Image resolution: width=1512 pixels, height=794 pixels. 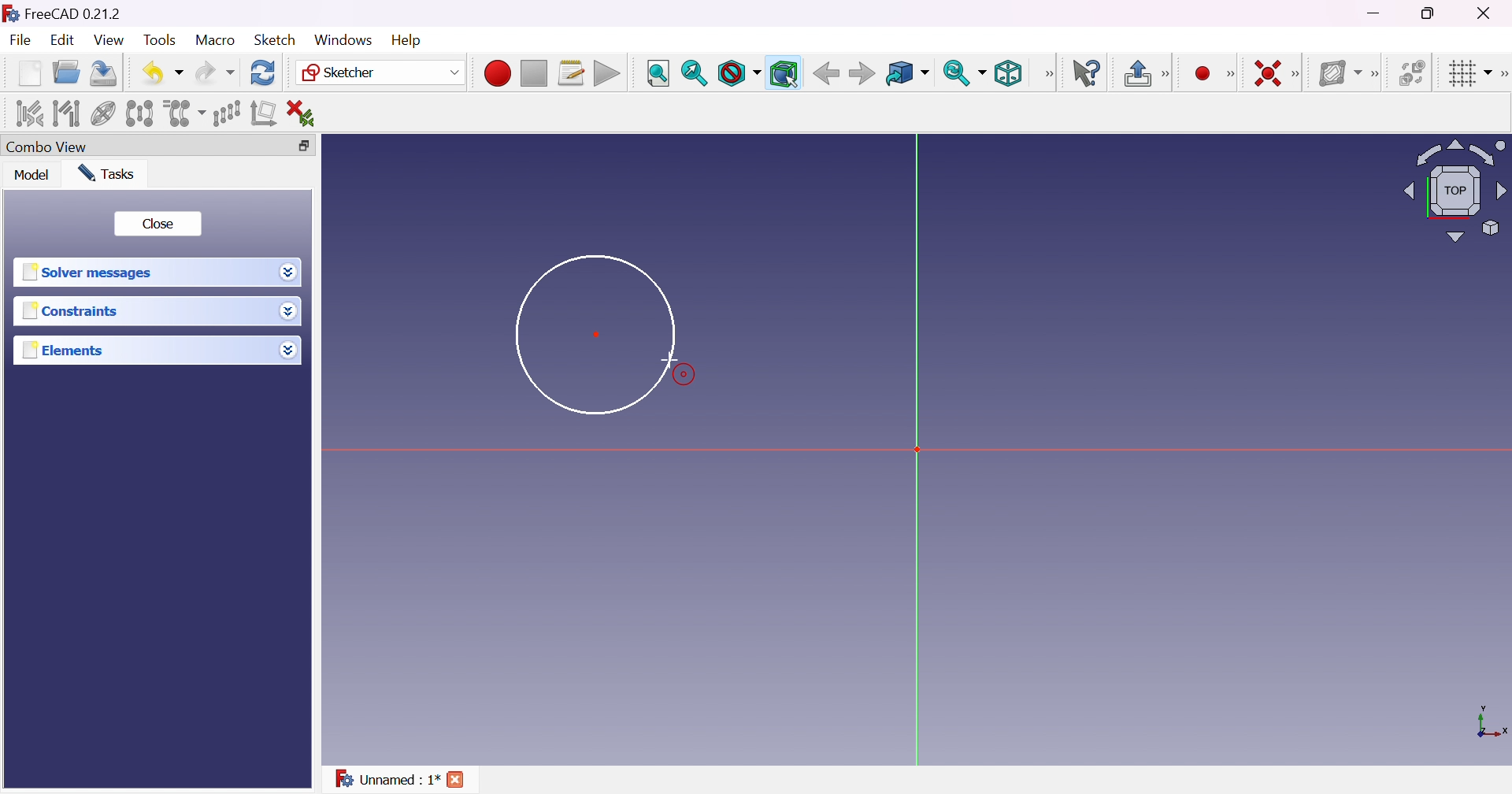 What do you see at coordinates (1413, 72) in the screenshot?
I see `Switch virtual space` at bounding box center [1413, 72].